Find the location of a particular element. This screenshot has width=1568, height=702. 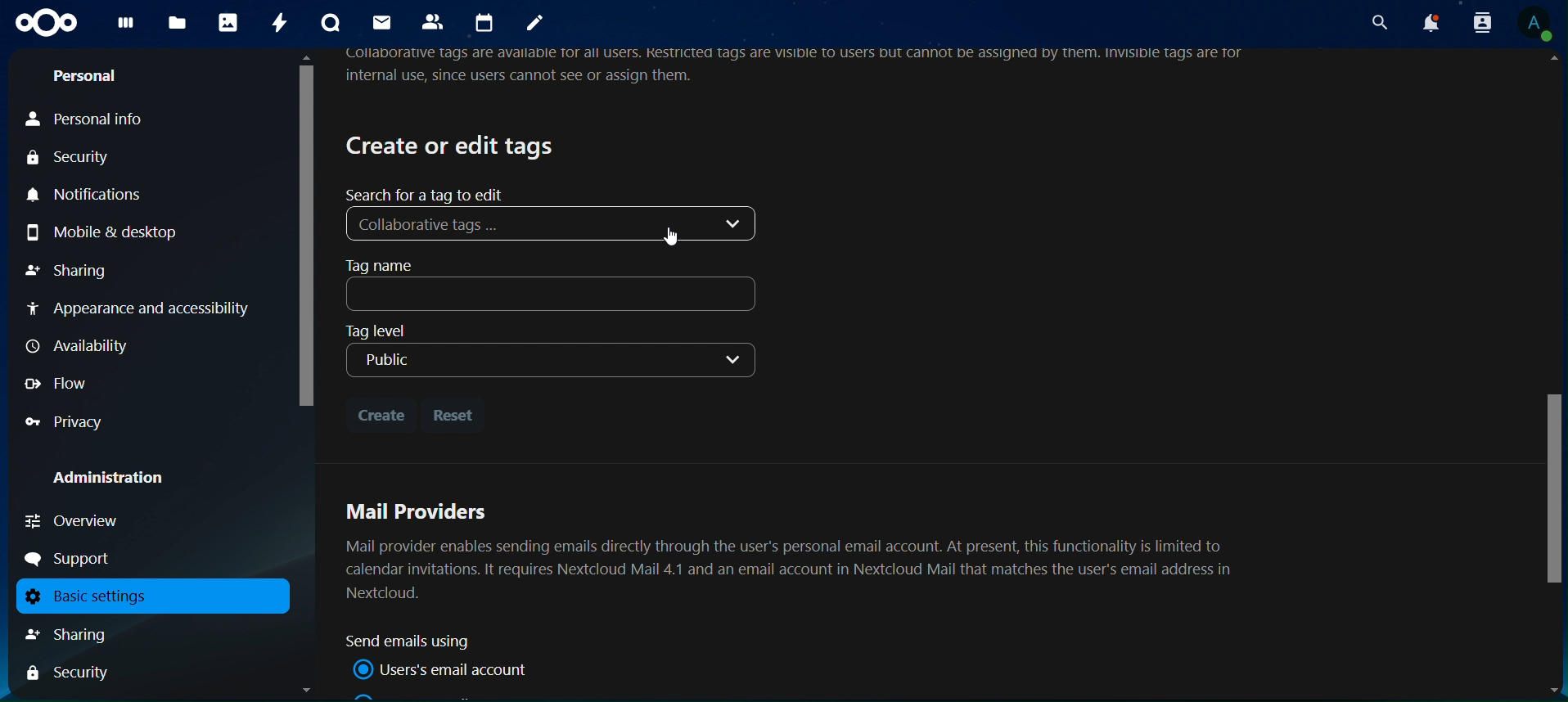

notes is located at coordinates (535, 25).